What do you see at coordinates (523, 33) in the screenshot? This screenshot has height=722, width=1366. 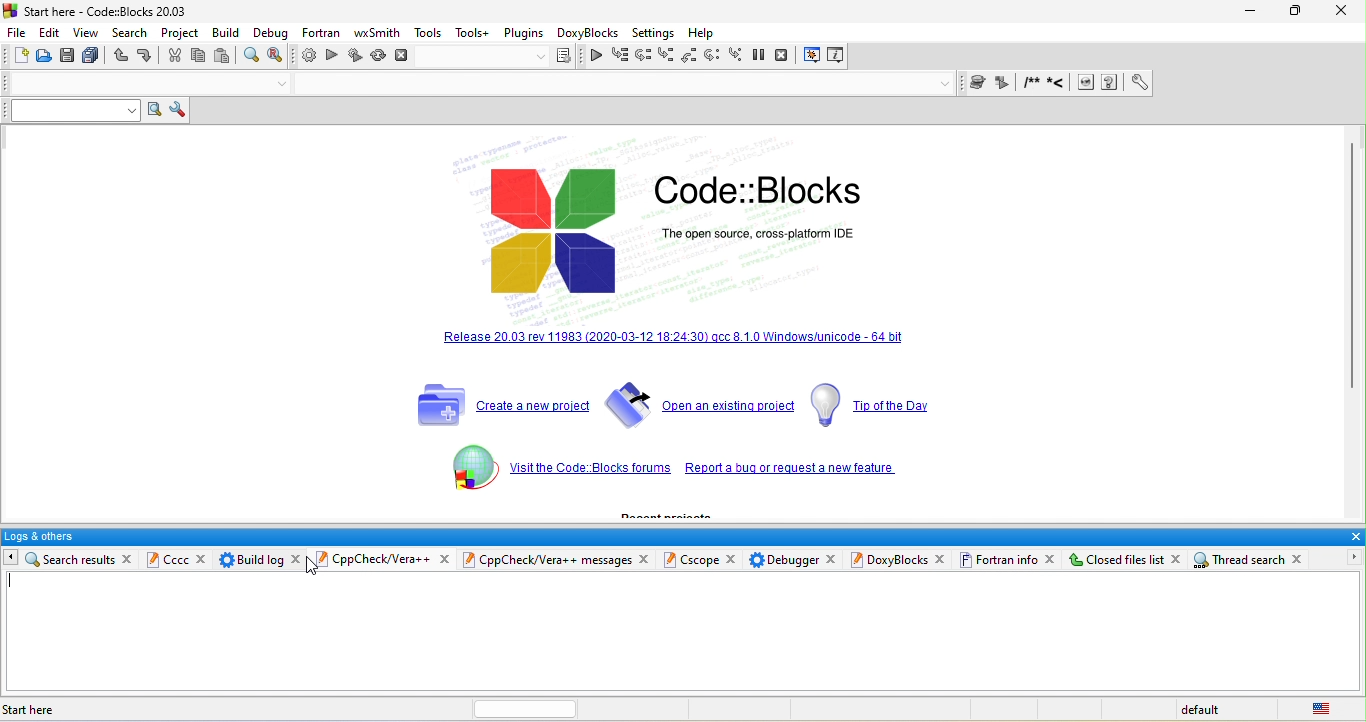 I see `plugins` at bounding box center [523, 33].